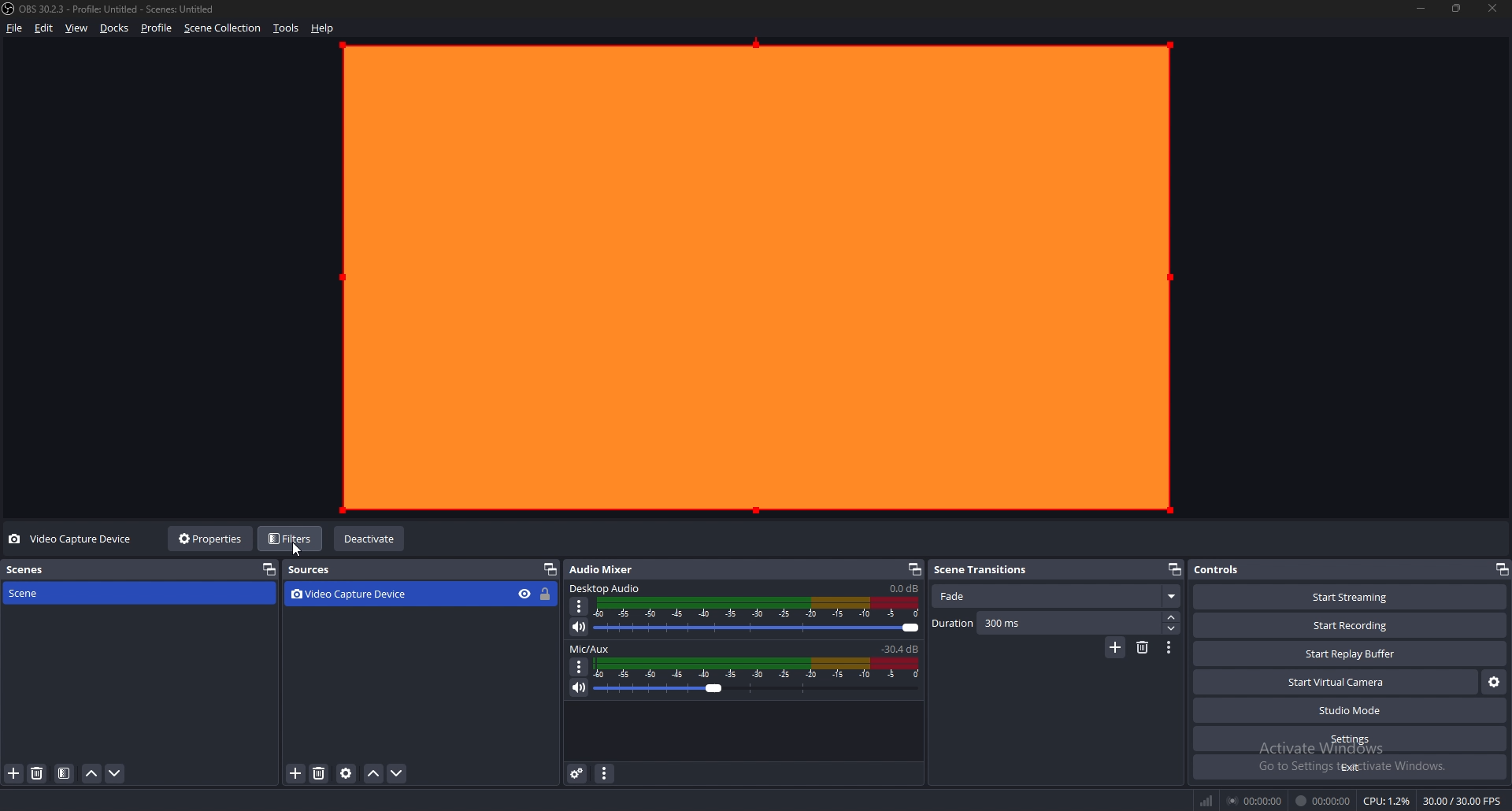 Image resolution: width=1512 pixels, height=811 pixels. What do you see at coordinates (606, 569) in the screenshot?
I see `audio mixer` at bounding box center [606, 569].